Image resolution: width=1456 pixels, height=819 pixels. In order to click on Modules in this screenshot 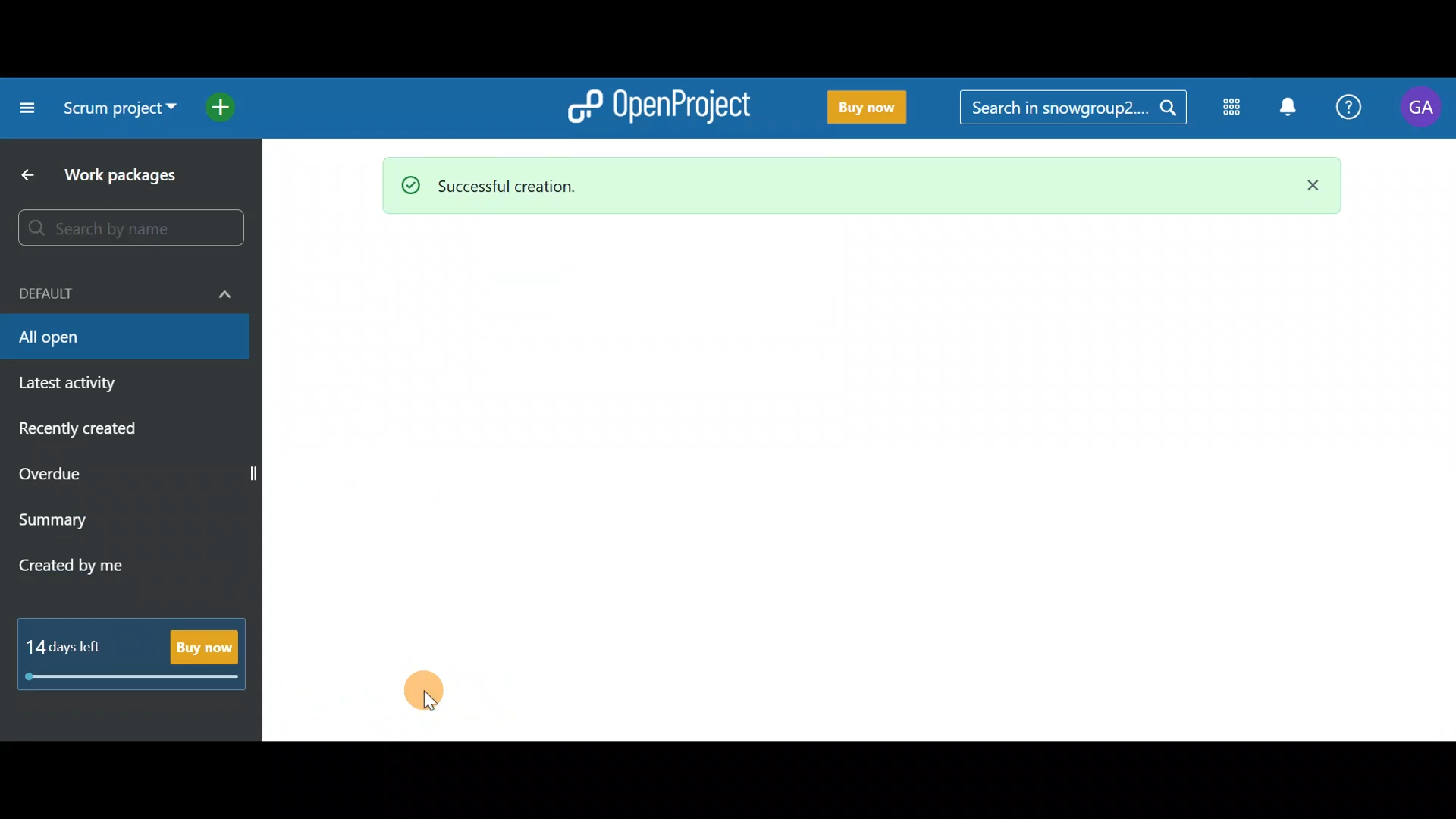, I will do `click(1227, 110)`.